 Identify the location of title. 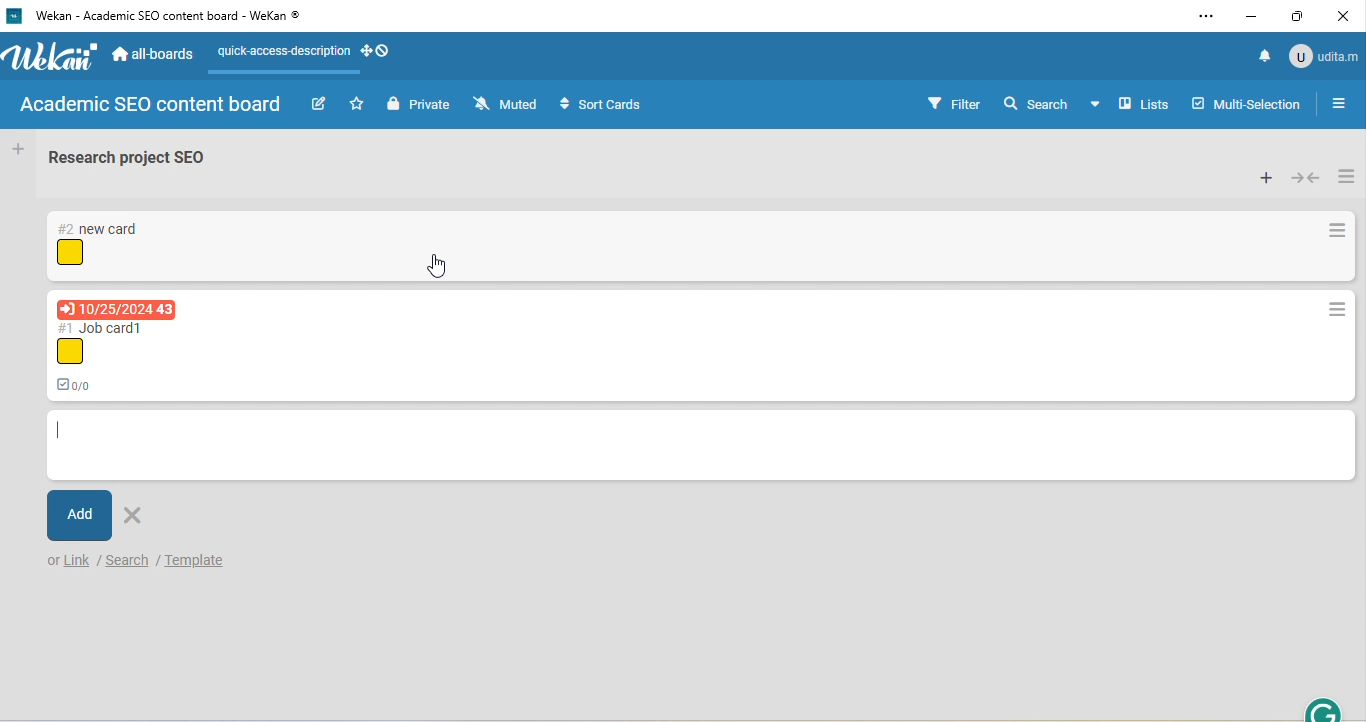
(161, 17).